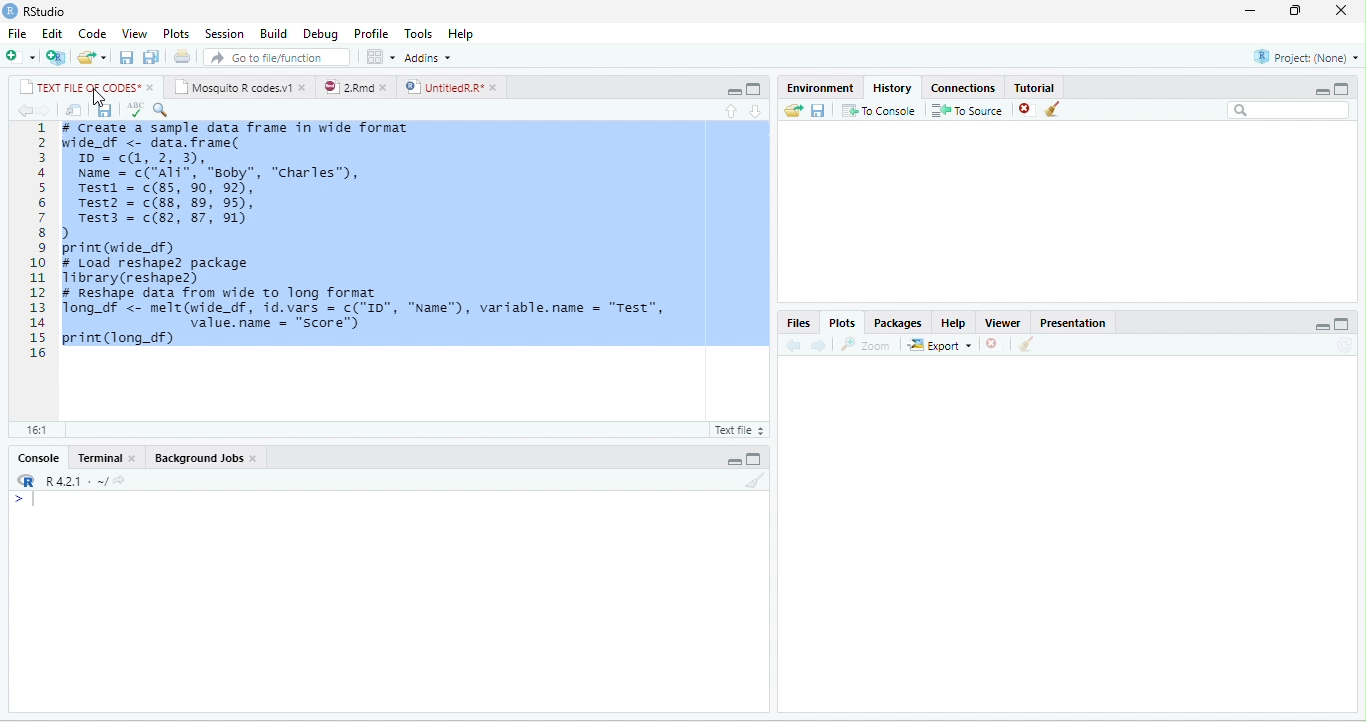  What do you see at coordinates (819, 88) in the screenshot?
I see `Environment` at bounding box center [819, 88].